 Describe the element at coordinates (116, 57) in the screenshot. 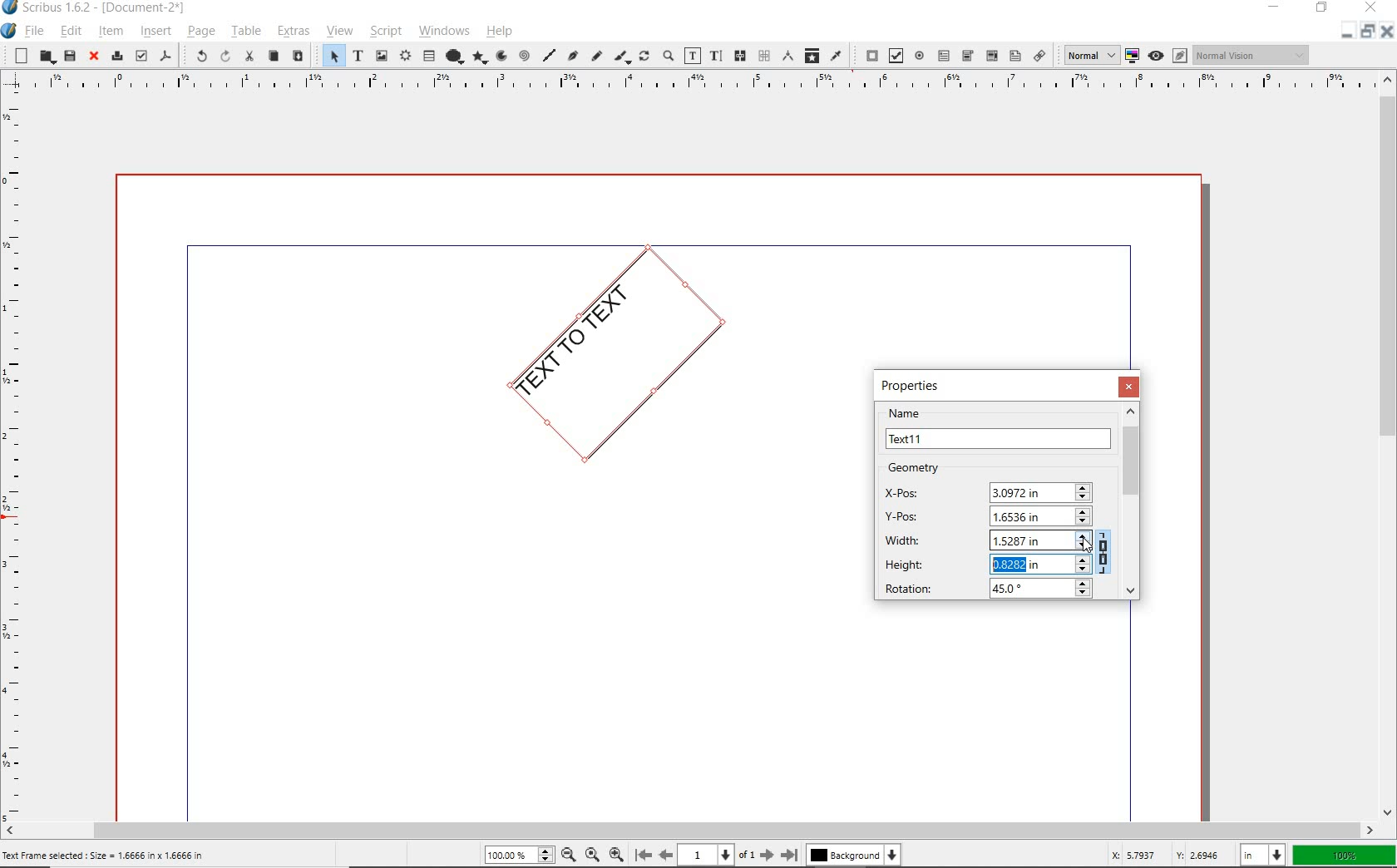

I see `print` at that location.